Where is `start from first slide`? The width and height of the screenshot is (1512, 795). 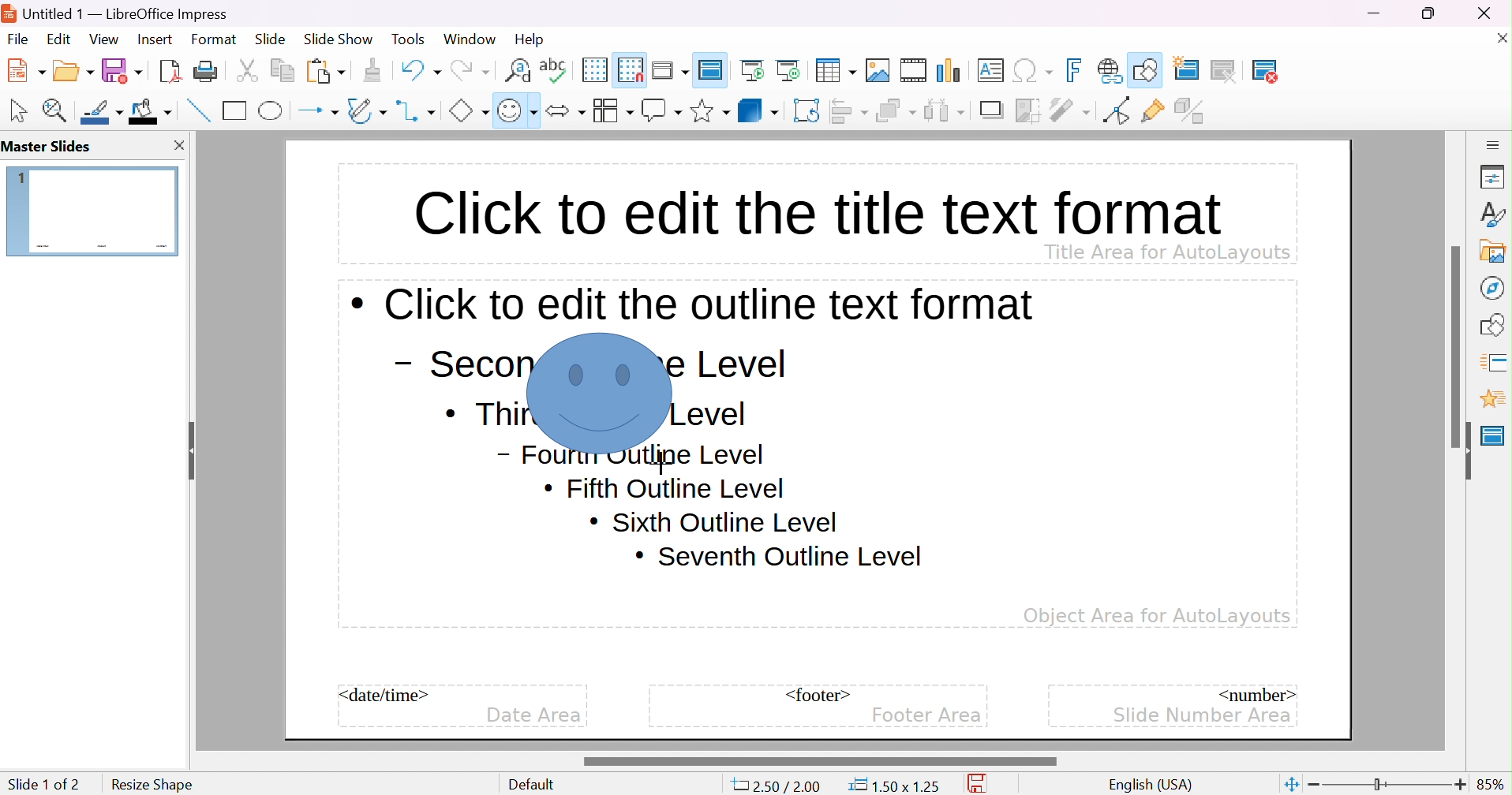
start from first slide is located at coordinates (754, 69).